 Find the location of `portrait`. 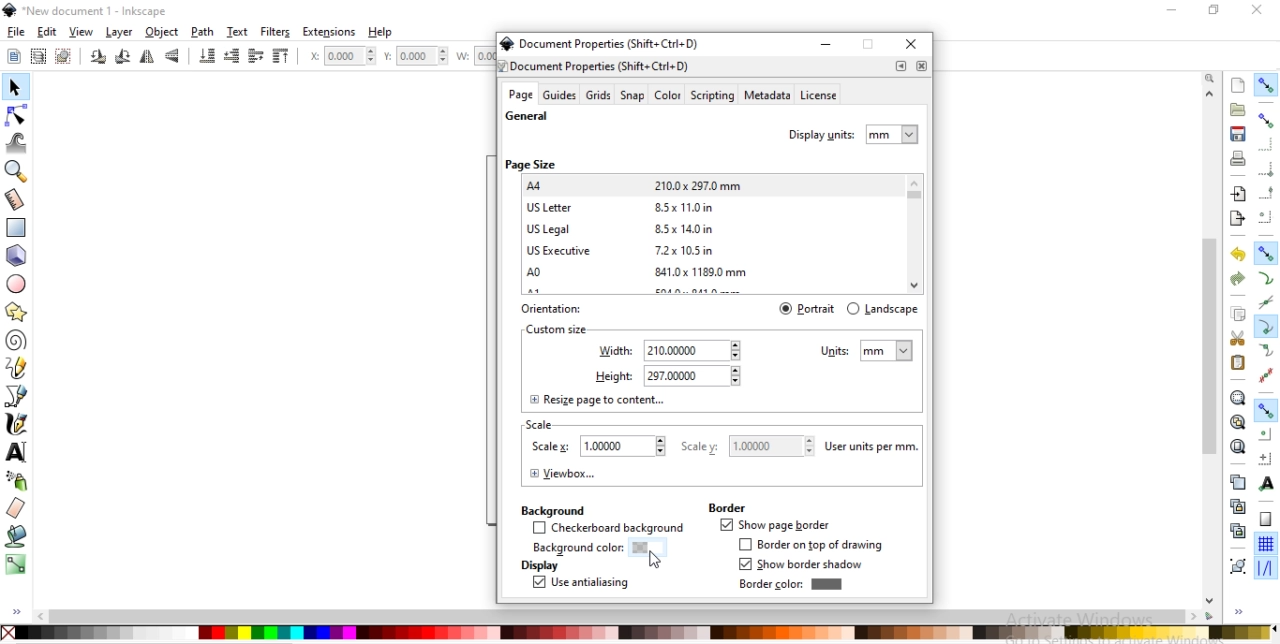

portrait is located at coordinates (809, 308).